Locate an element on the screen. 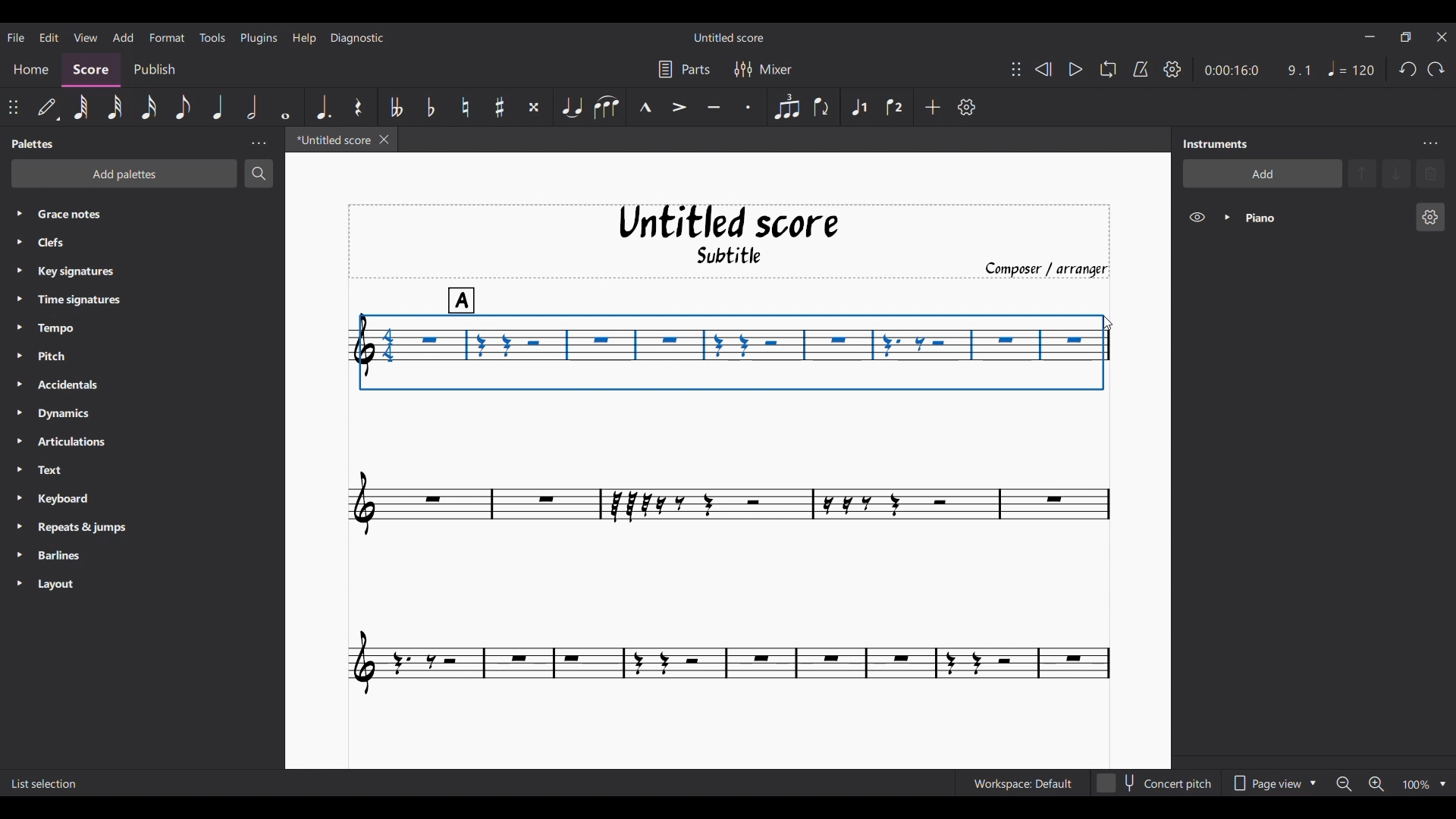 The width and height of the screenshot is (1456, 819). Current score is located at coordinates (730, 557).